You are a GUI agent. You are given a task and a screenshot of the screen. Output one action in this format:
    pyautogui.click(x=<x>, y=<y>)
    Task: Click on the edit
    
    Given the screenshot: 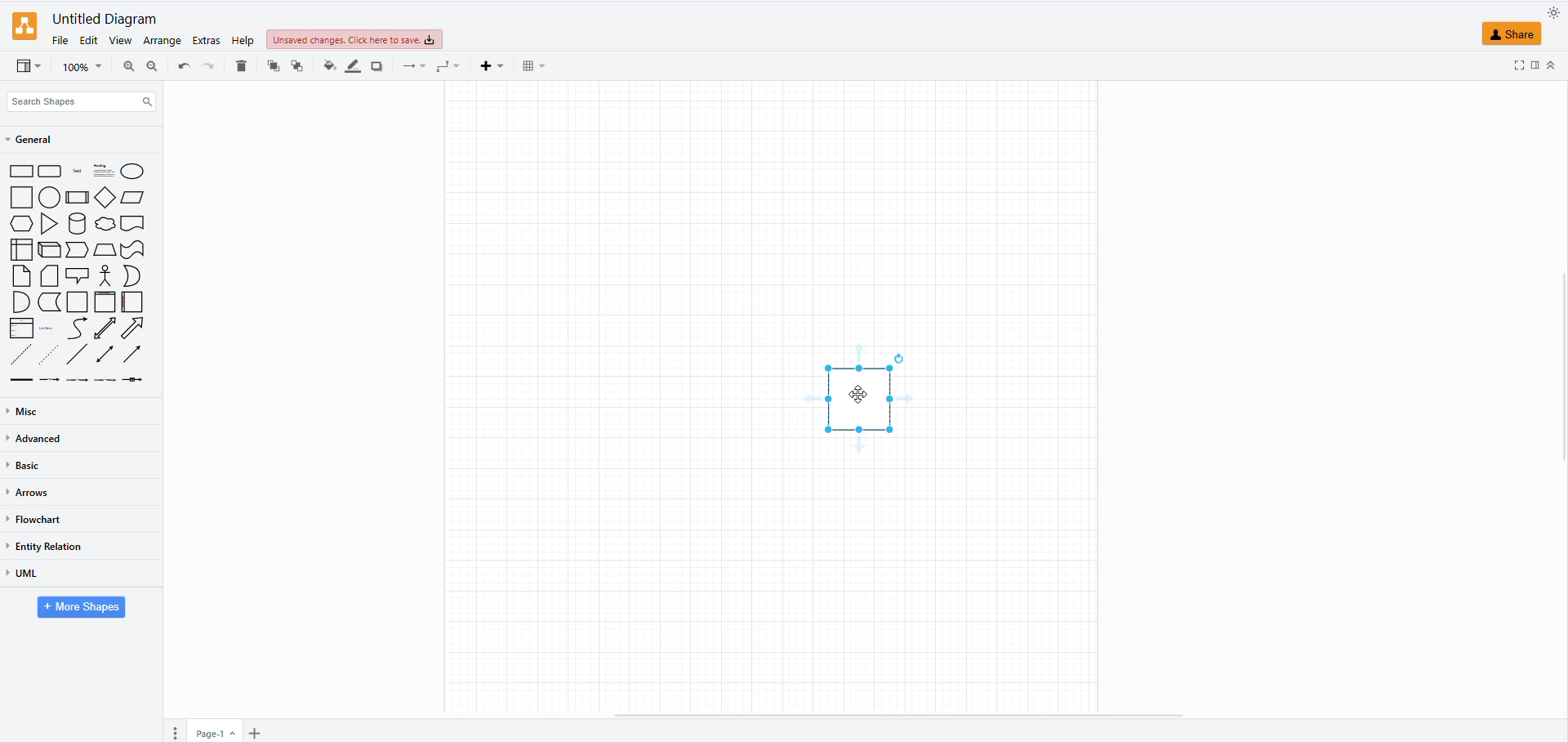 What is the action you would take?
    pyautogui.click(x=90, y=40)
    